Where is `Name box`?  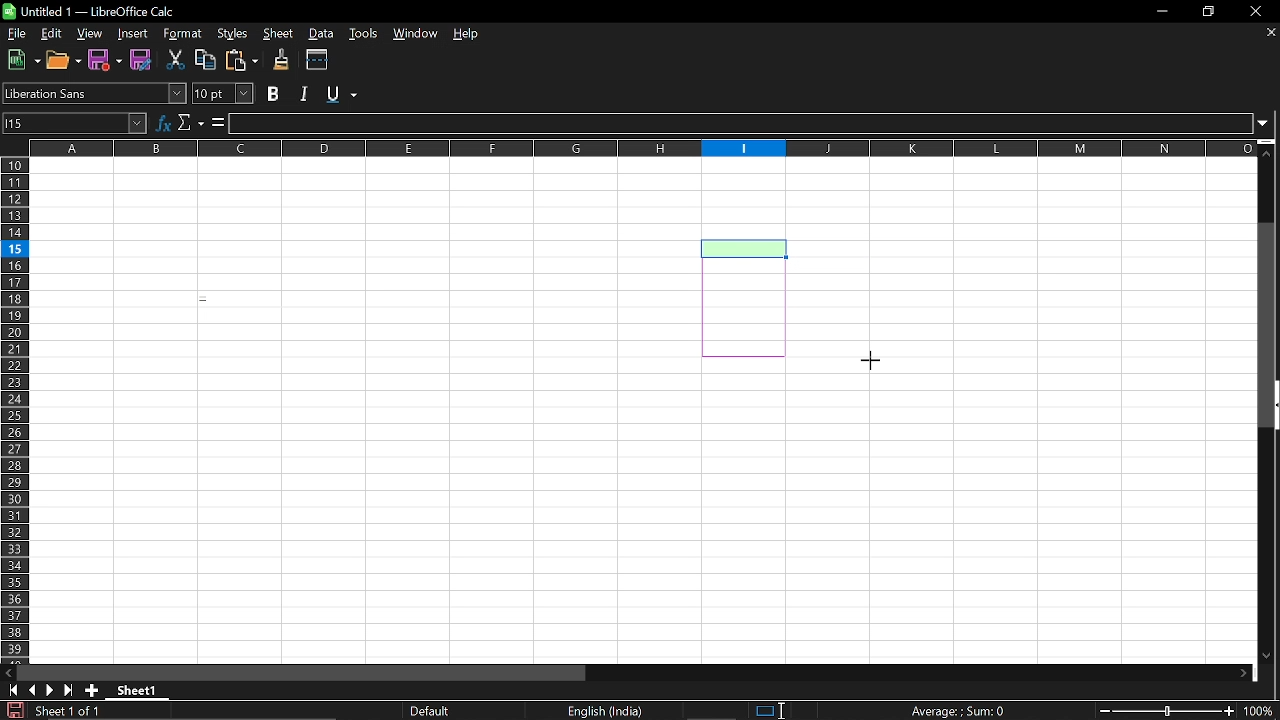
Name box is located at coordinates (74, 122).